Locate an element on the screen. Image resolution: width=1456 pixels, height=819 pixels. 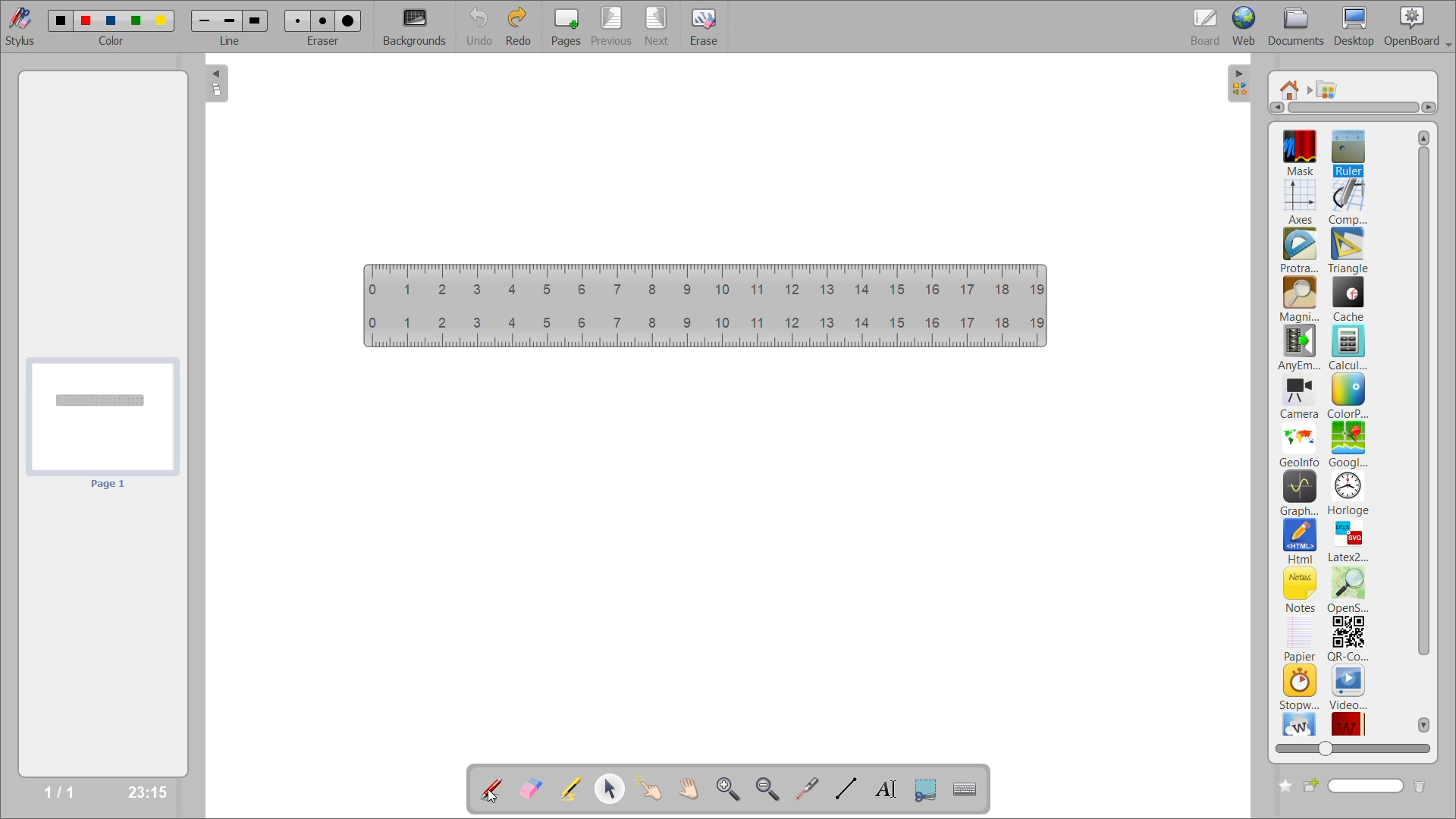
color 3 is located at coordinates (110, 20).